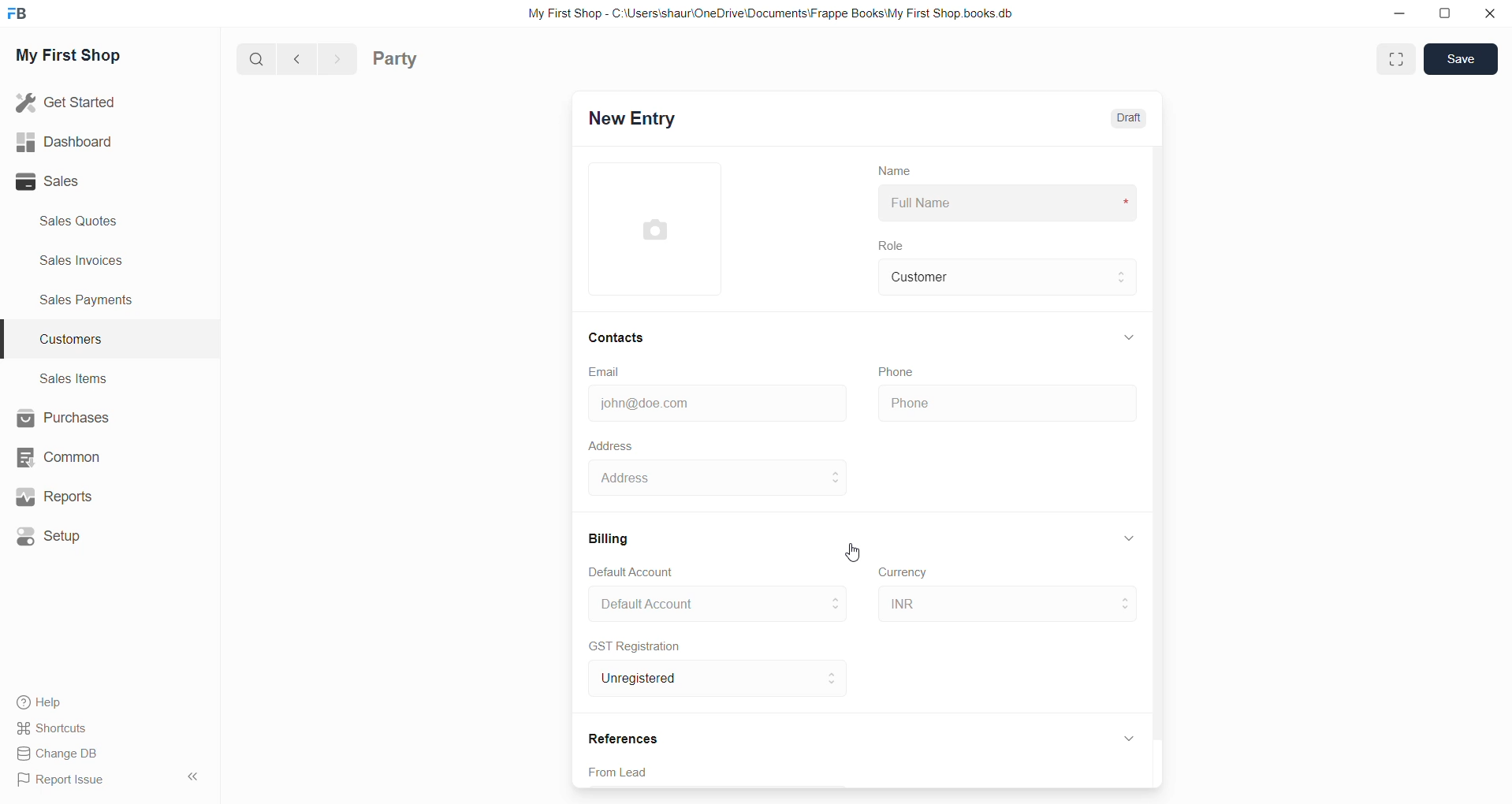  I want to click on Select GST registration, so click(693, 679).